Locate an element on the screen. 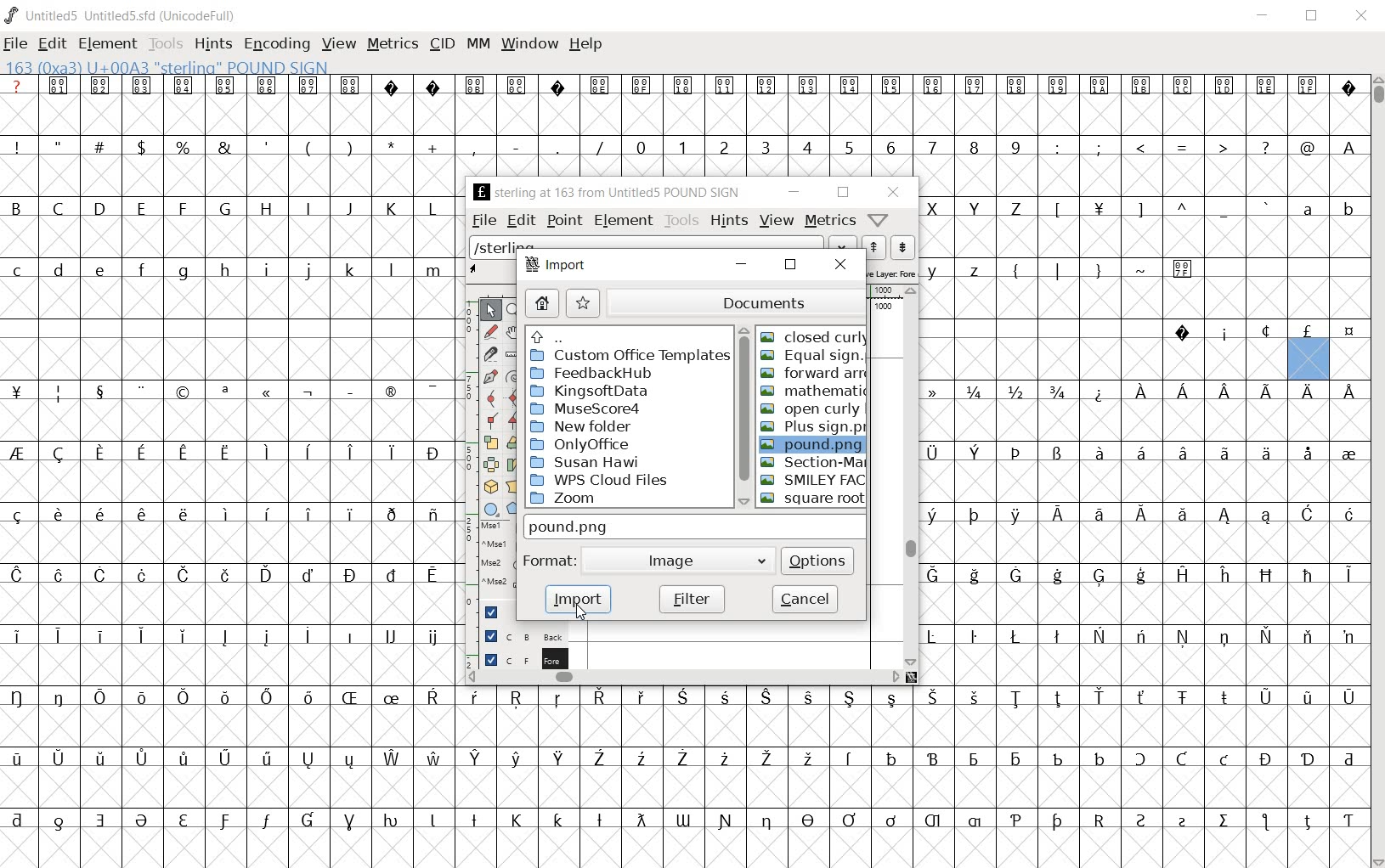  Symbol is located at coordinates (432, 757).